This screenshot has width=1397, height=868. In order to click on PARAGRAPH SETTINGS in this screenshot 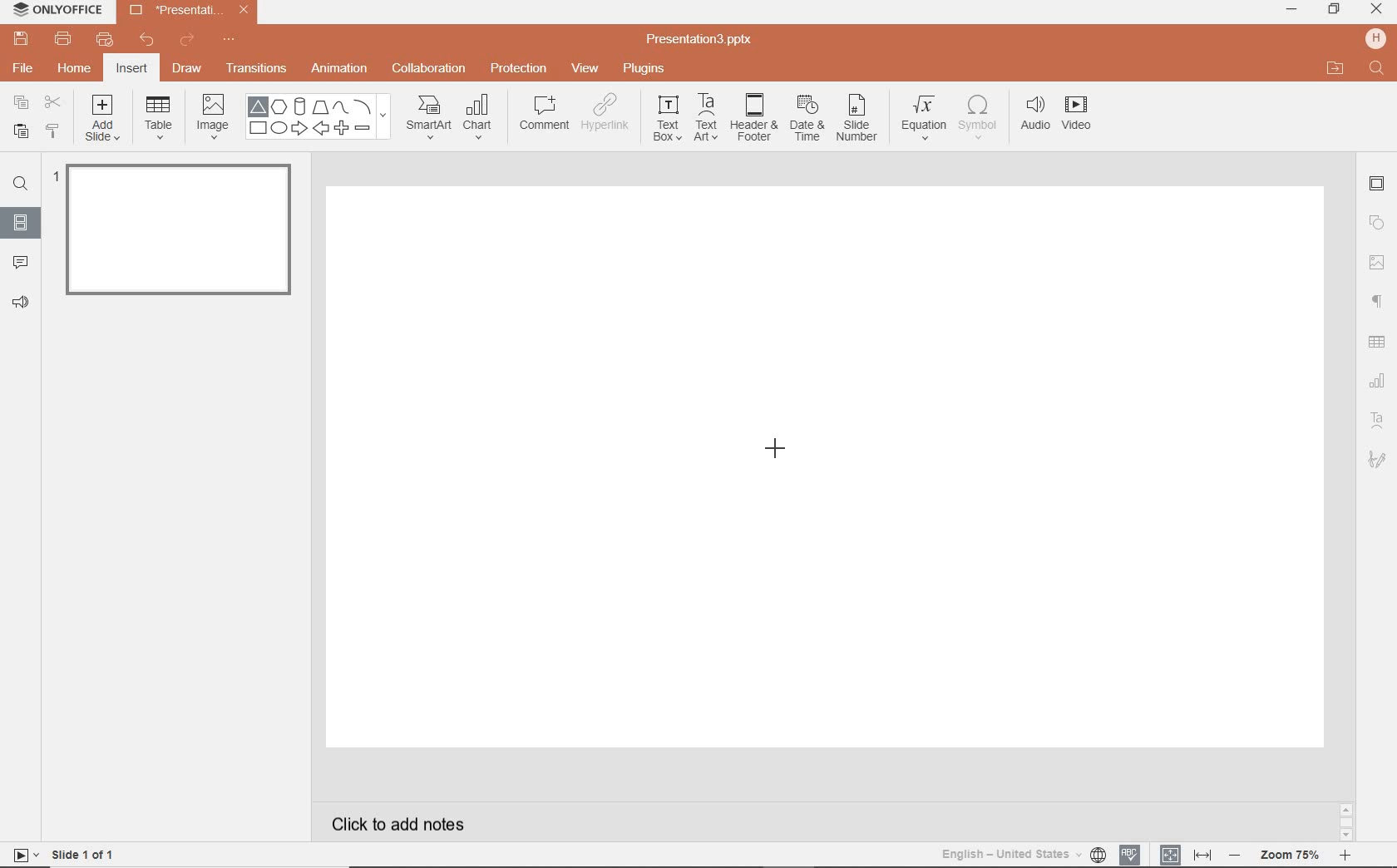, I will do `click(1378, 302)`.